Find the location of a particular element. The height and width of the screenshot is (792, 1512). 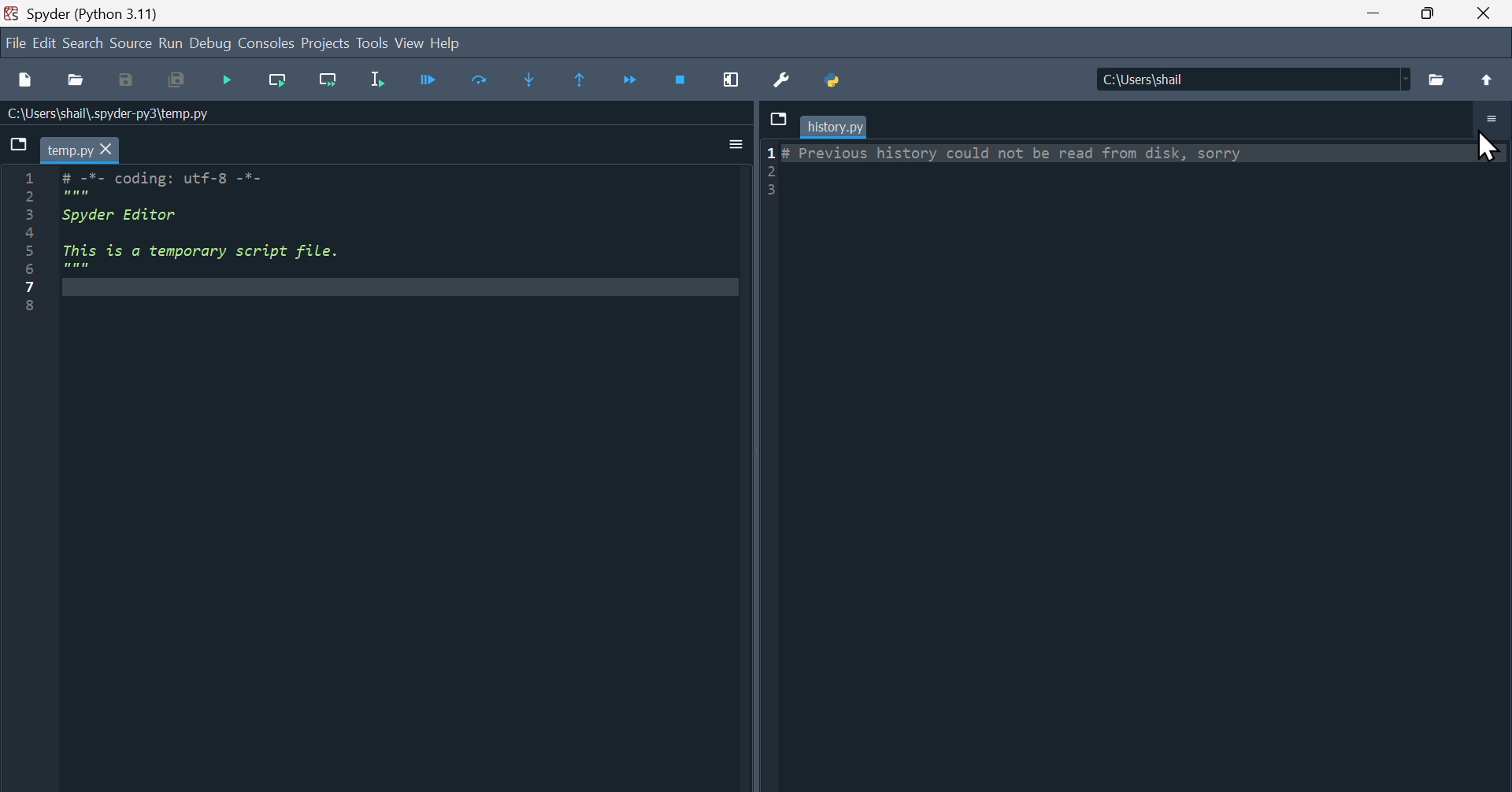

temp.py is located at coordinates (83, 150).